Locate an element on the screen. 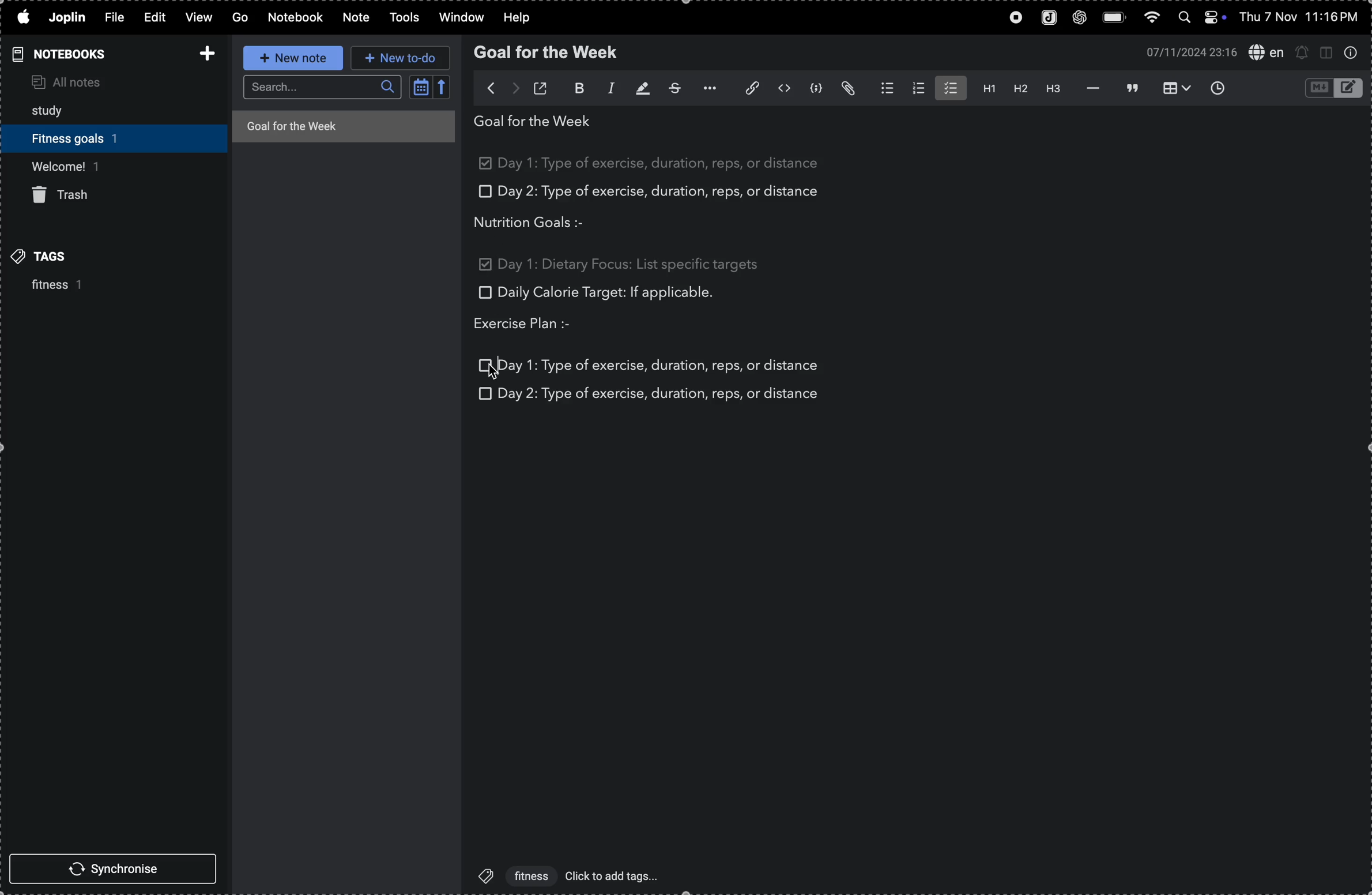 The width and height of the screenshot is (1372, 895). day 2: type of exercise, duration, reps, or distance  is located at coordinates (665, 192).